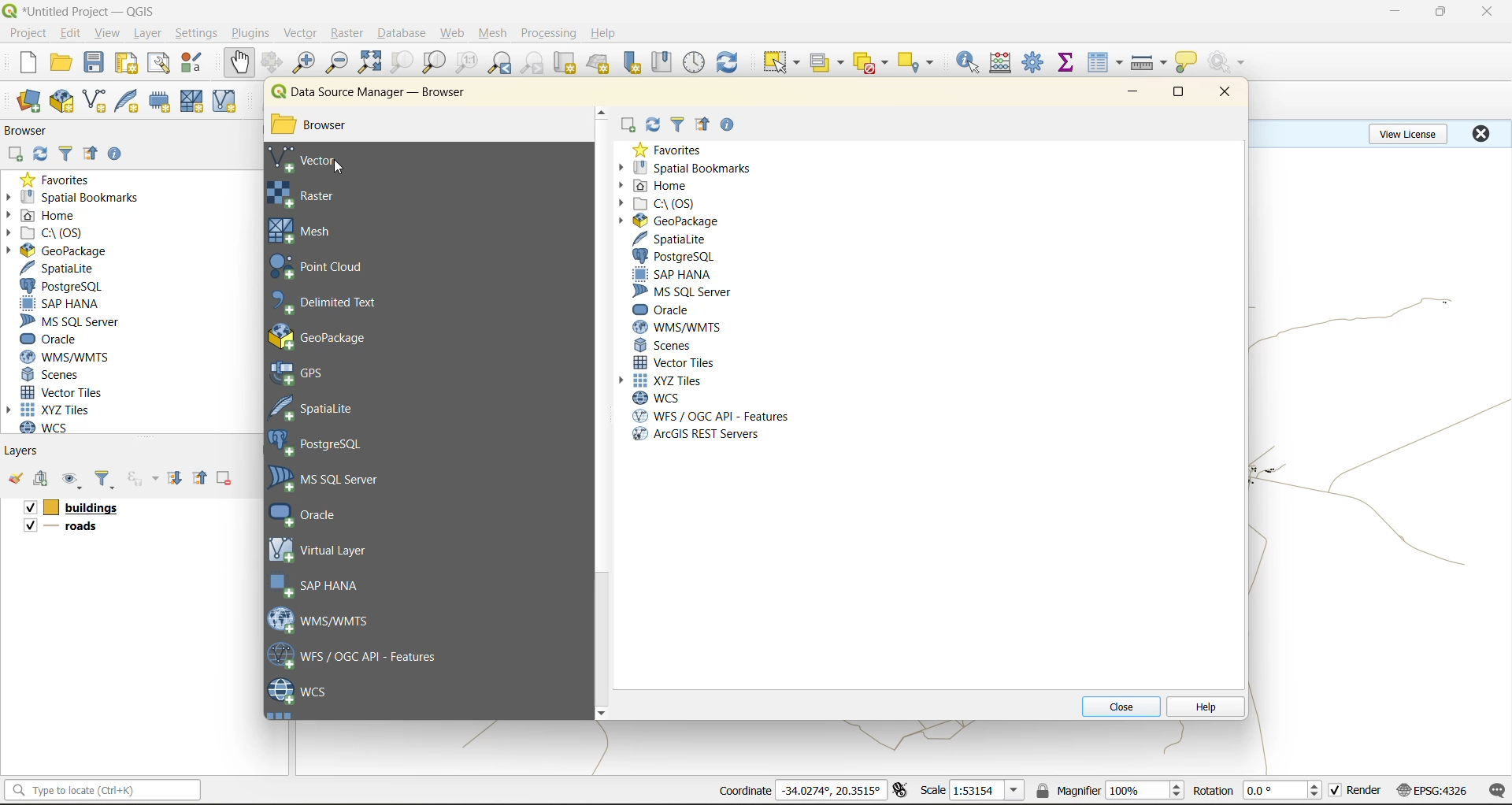 Image resolution: width=1512 pixels, height=805 pixels. What do you see at coordinates (333, 302) in the screenshot?
I see `delimited text` at bounding box center [333, 302].